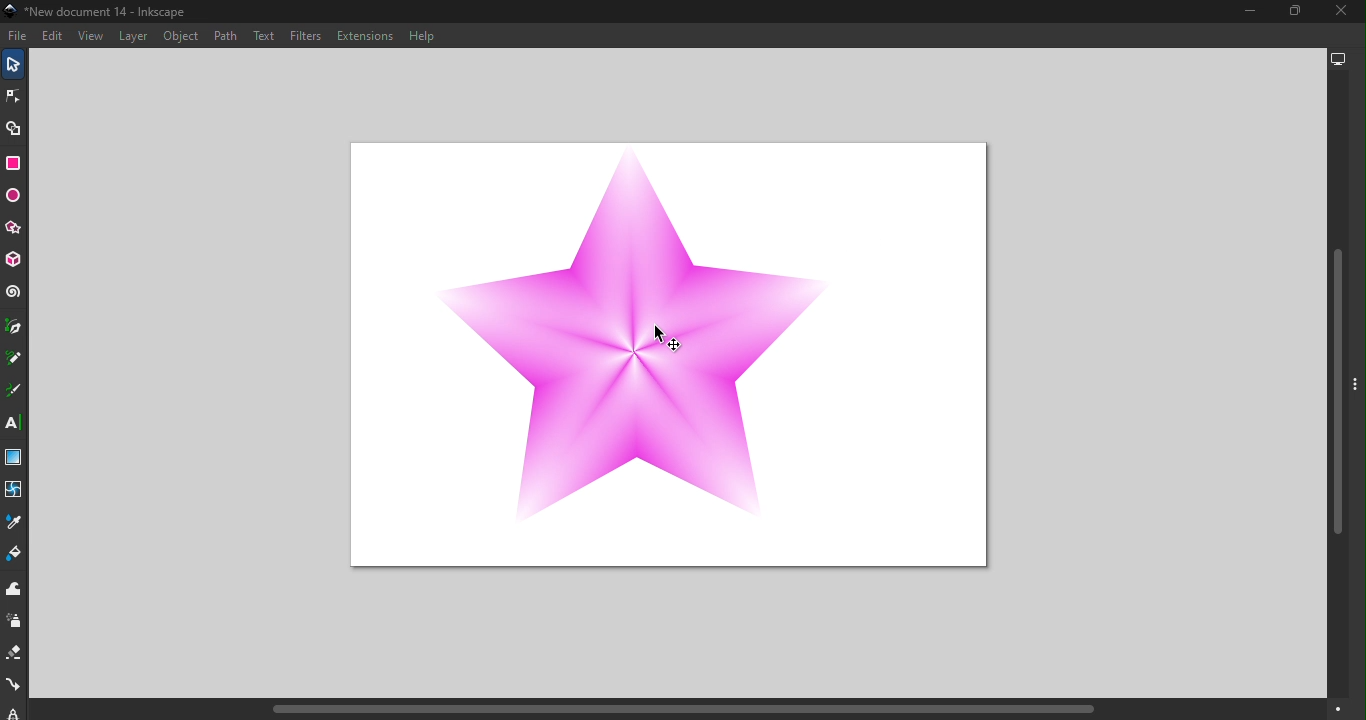  I want to click on Layer, so click(134, 35).